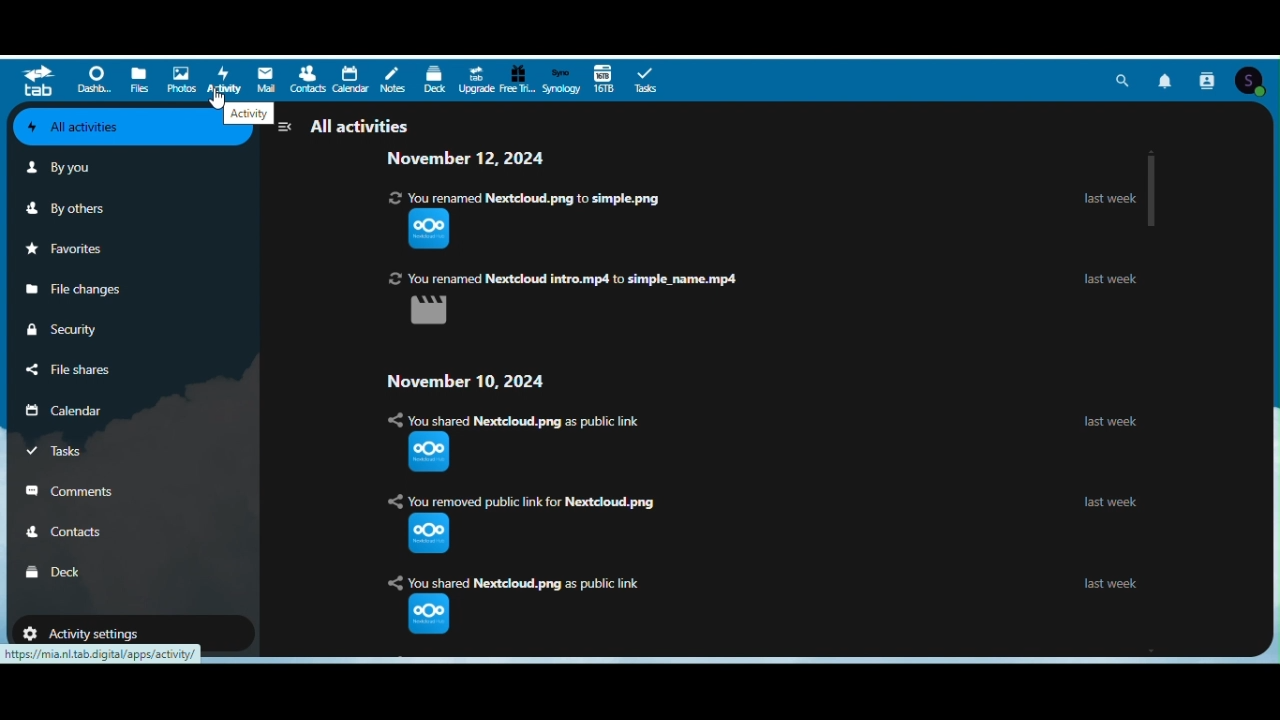  Describe the element at coordinates (83, 533) in the screenshot. I see `Contact` at that location.